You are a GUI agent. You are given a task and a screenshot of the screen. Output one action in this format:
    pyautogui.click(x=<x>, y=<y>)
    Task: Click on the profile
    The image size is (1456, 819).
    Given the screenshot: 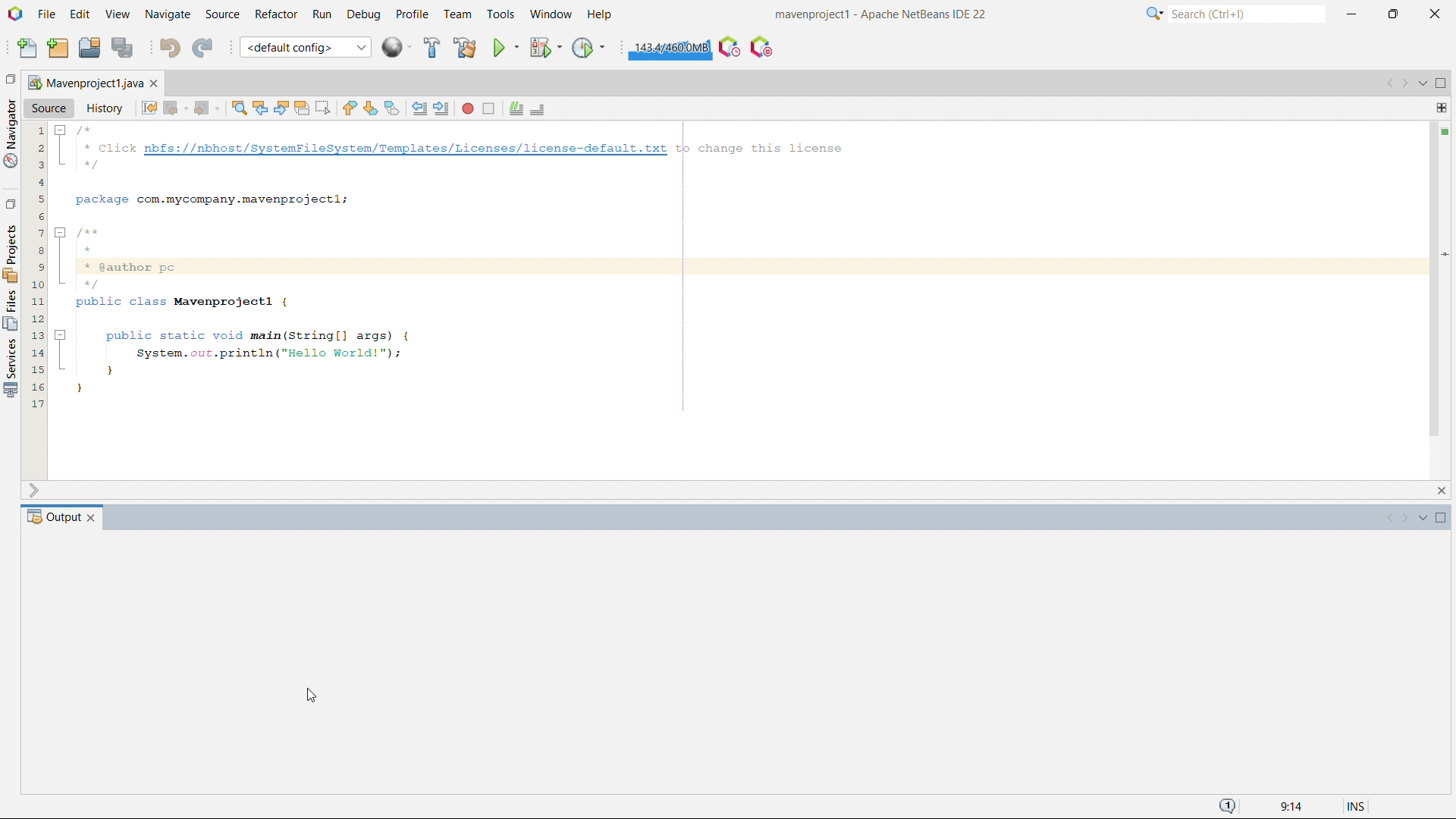 What is the action you would take?
    pyautogui.click(x=412, y=15)
    